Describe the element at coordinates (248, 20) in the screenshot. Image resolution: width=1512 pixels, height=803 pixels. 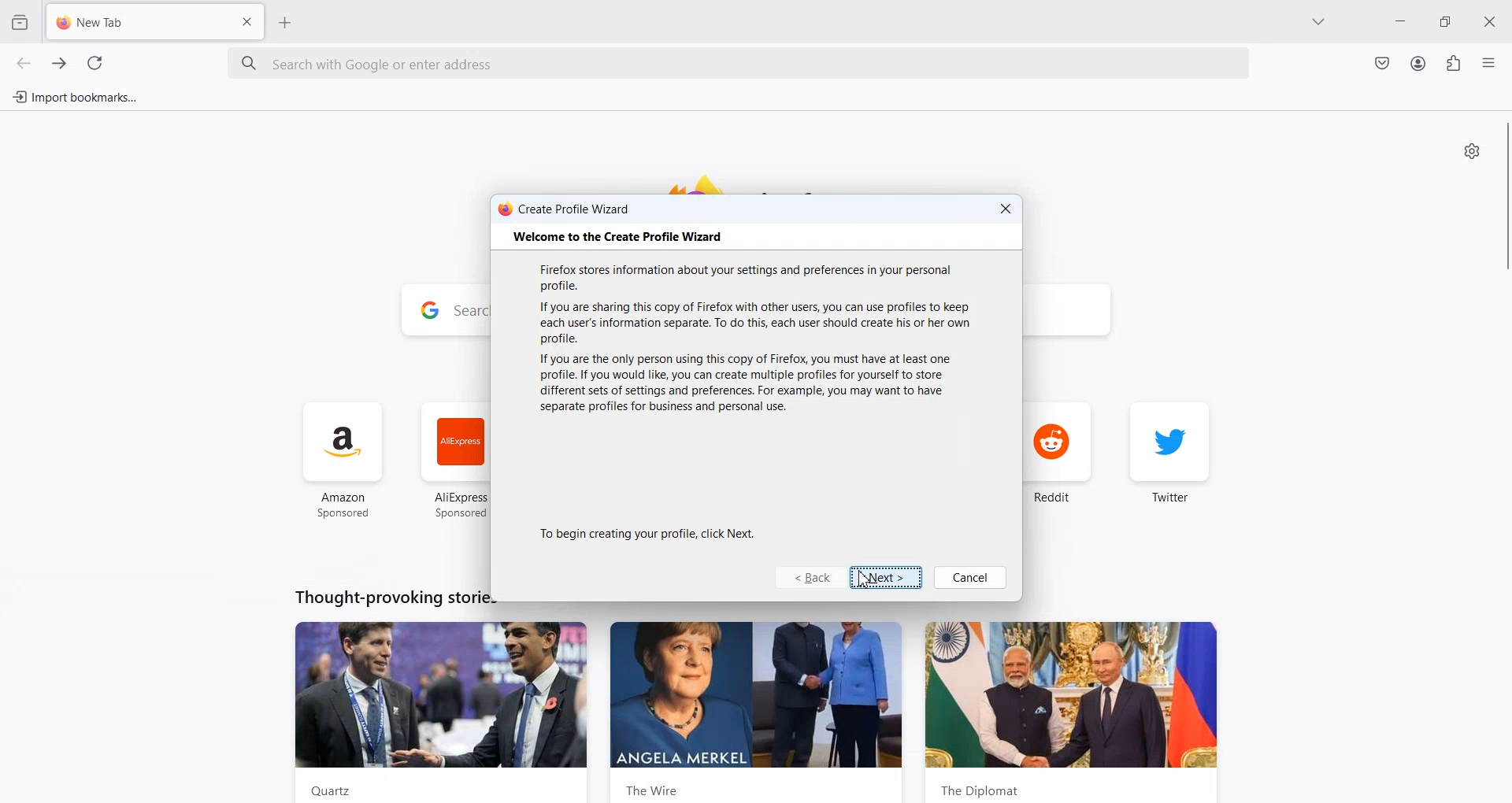
I see `Close Tab` at that location.